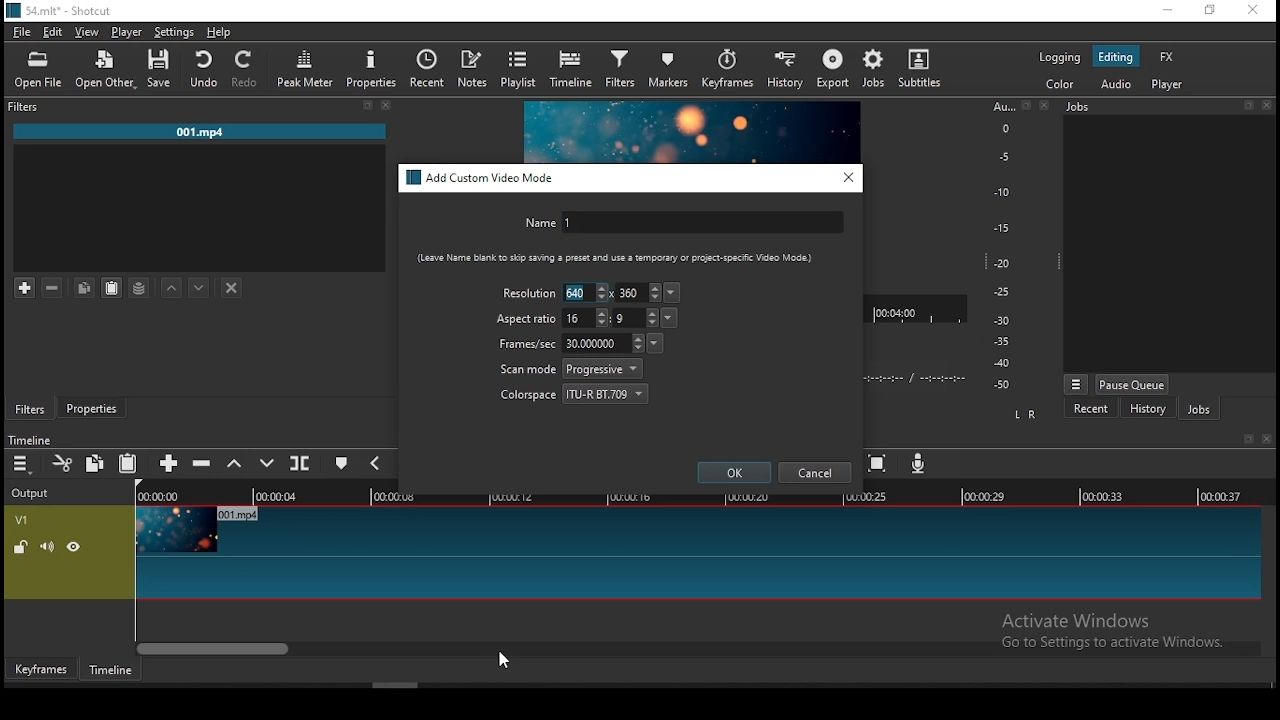  I want to click on fx, so click(1169, 58).